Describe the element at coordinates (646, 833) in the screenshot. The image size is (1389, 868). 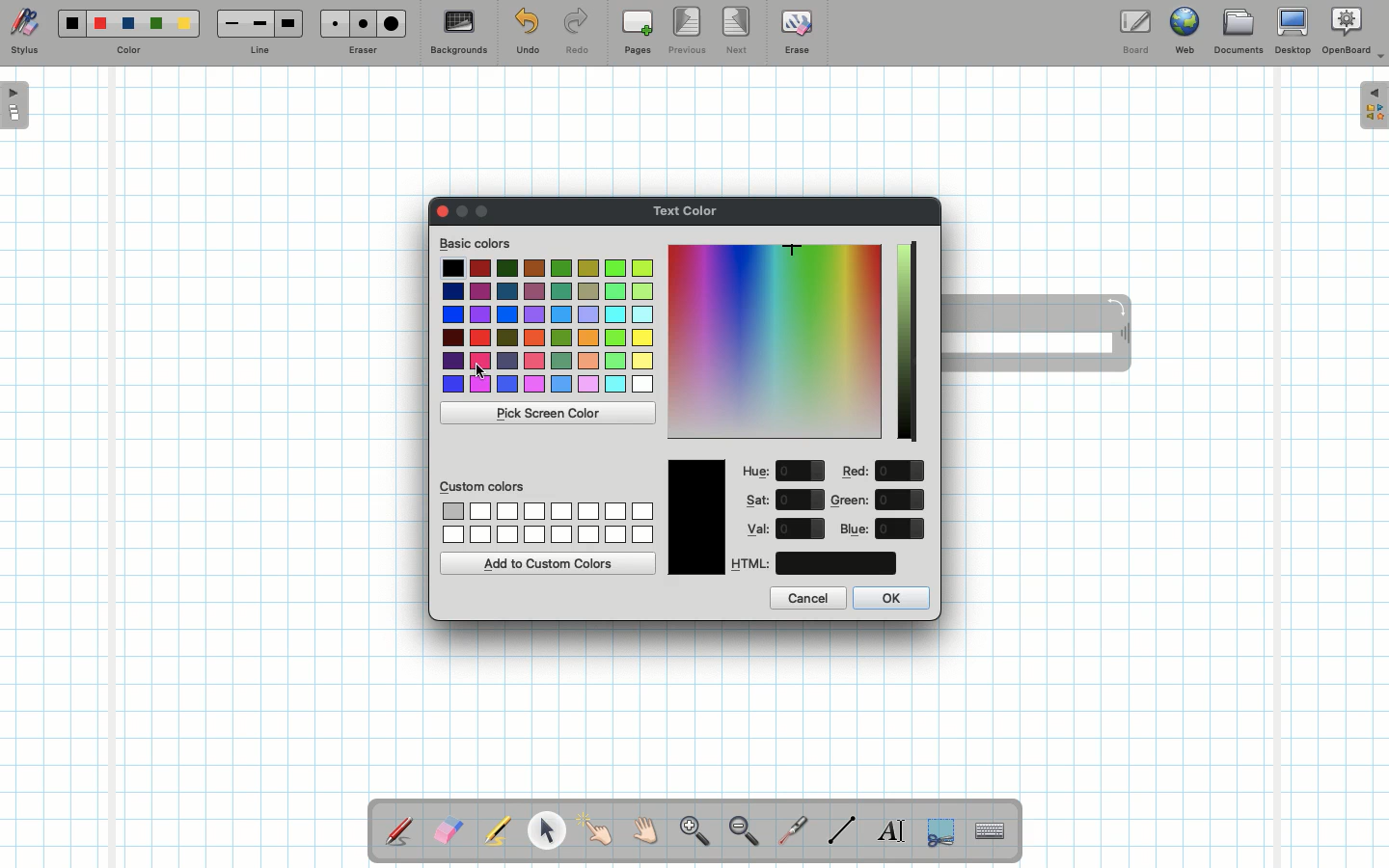
I see `Grab` at that location.